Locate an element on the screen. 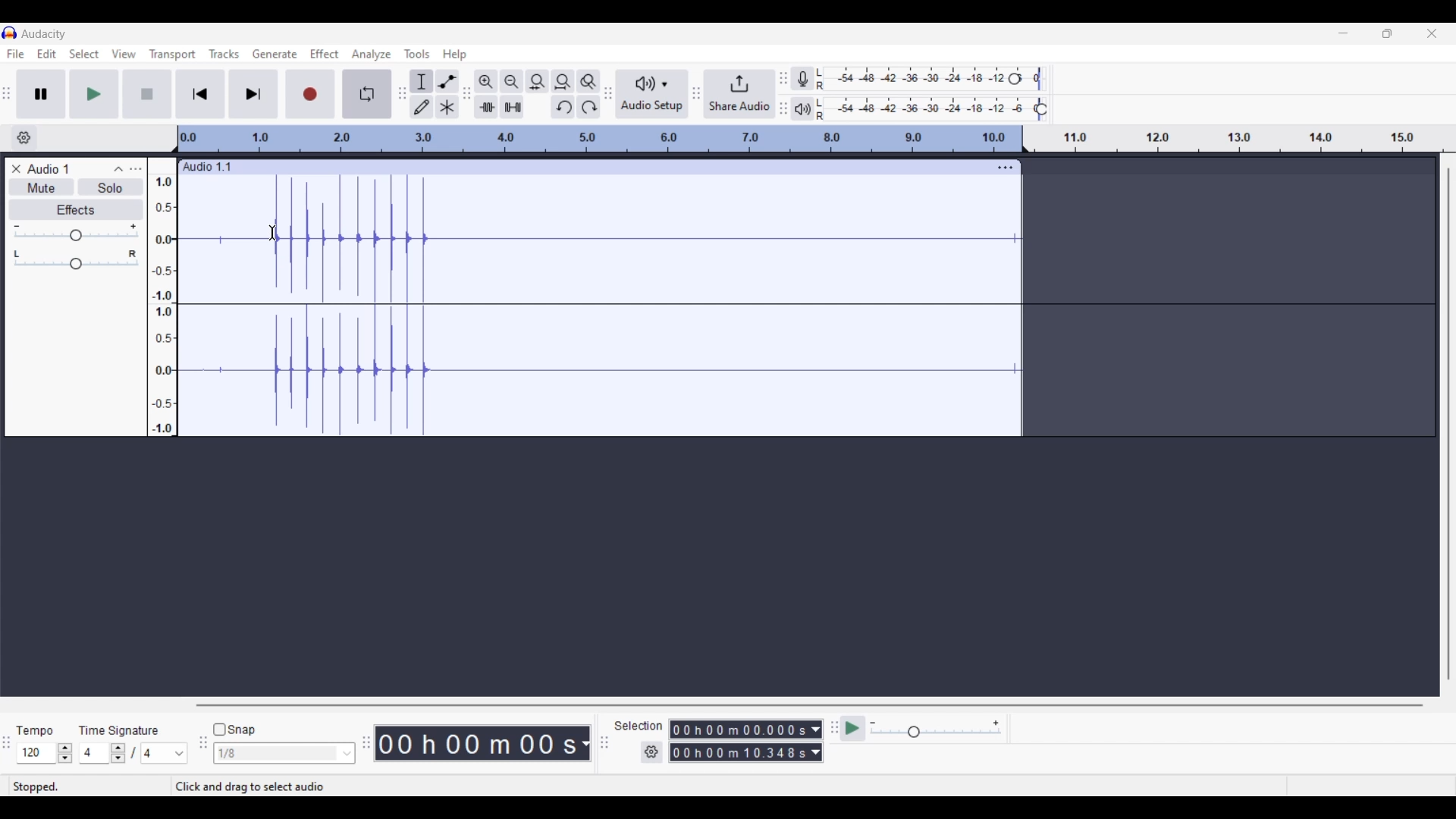  Effect menu is located at coordinates (324, 54).